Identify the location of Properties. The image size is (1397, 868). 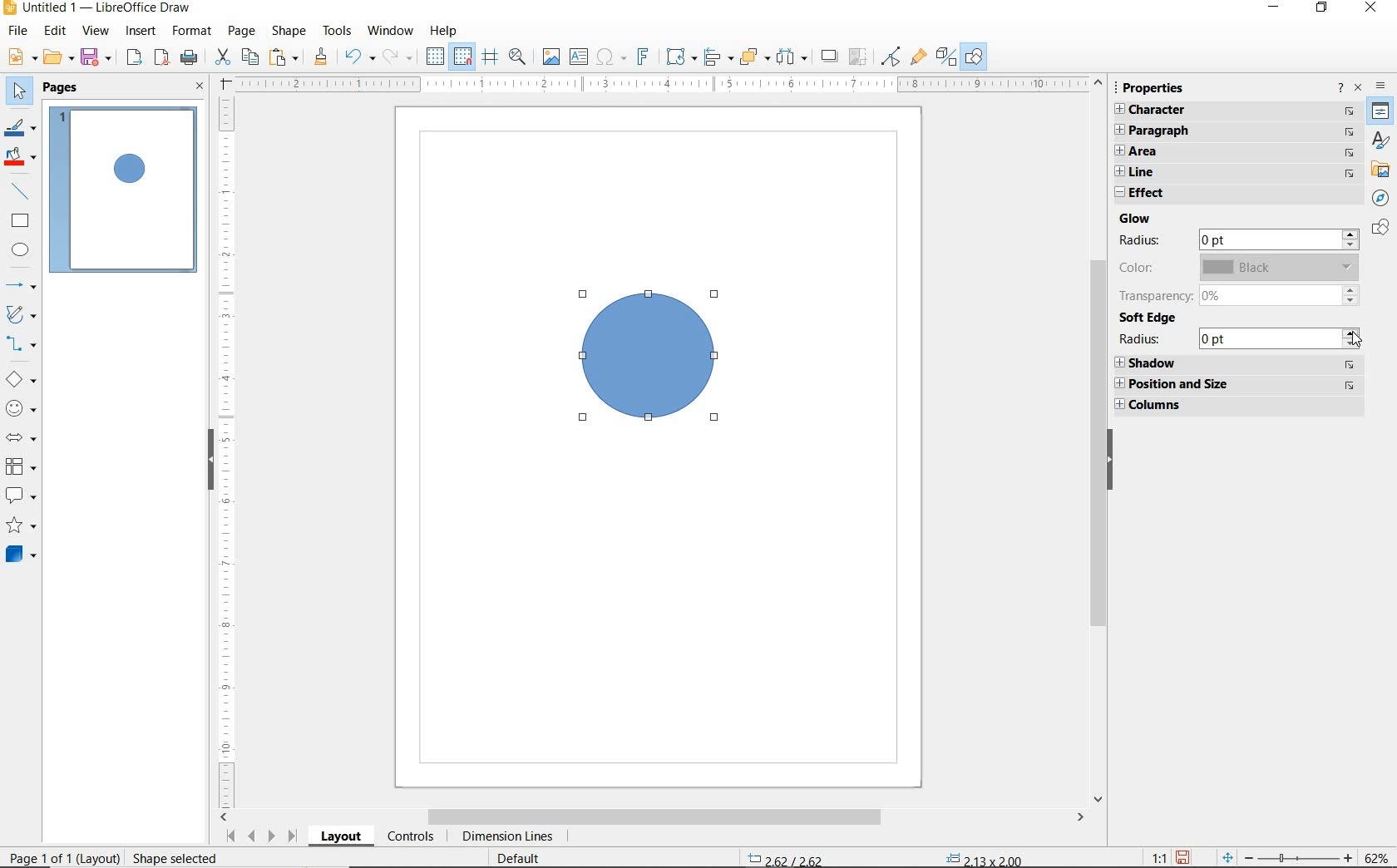
(1380, 114).